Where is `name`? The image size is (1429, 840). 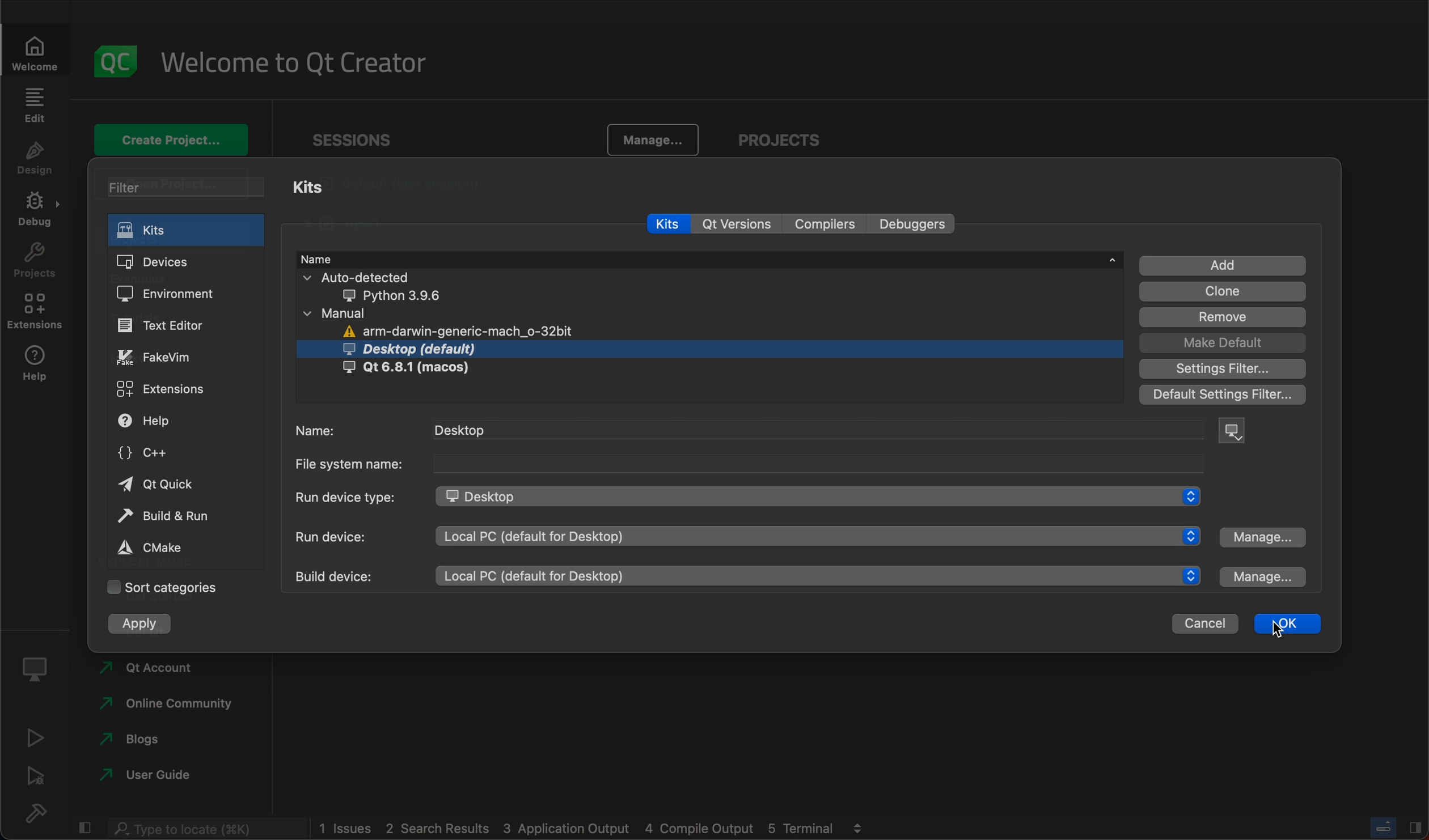 name is located at coordinates (707, 260).